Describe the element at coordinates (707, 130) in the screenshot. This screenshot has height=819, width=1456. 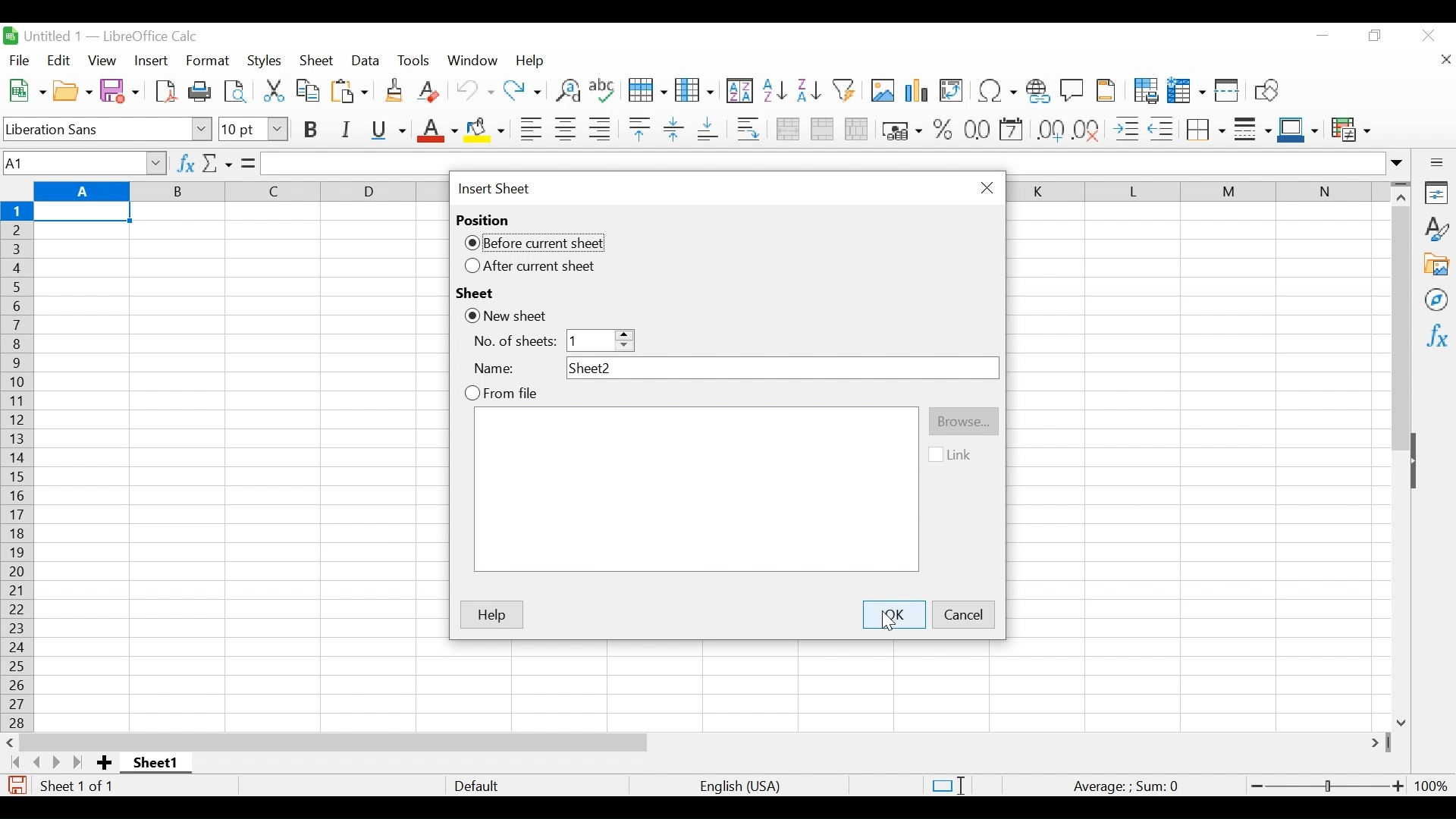
I see `Align Bottom` at that location.